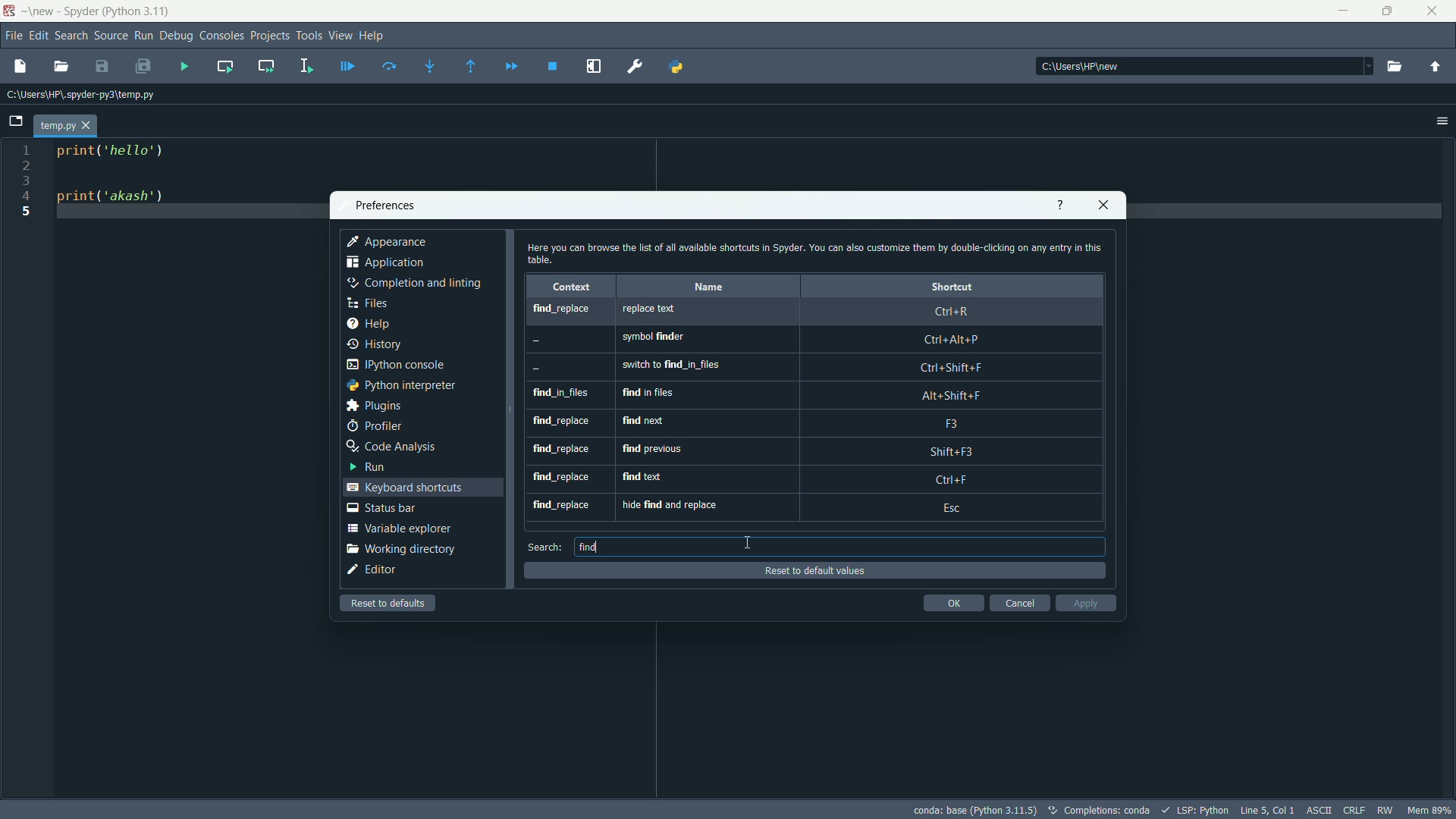 The height and width of the screenshot is (819, 1456). What do you see at coordinates (370, 303) in the screenshot?
I see `files` at bounding box center [370, 303].